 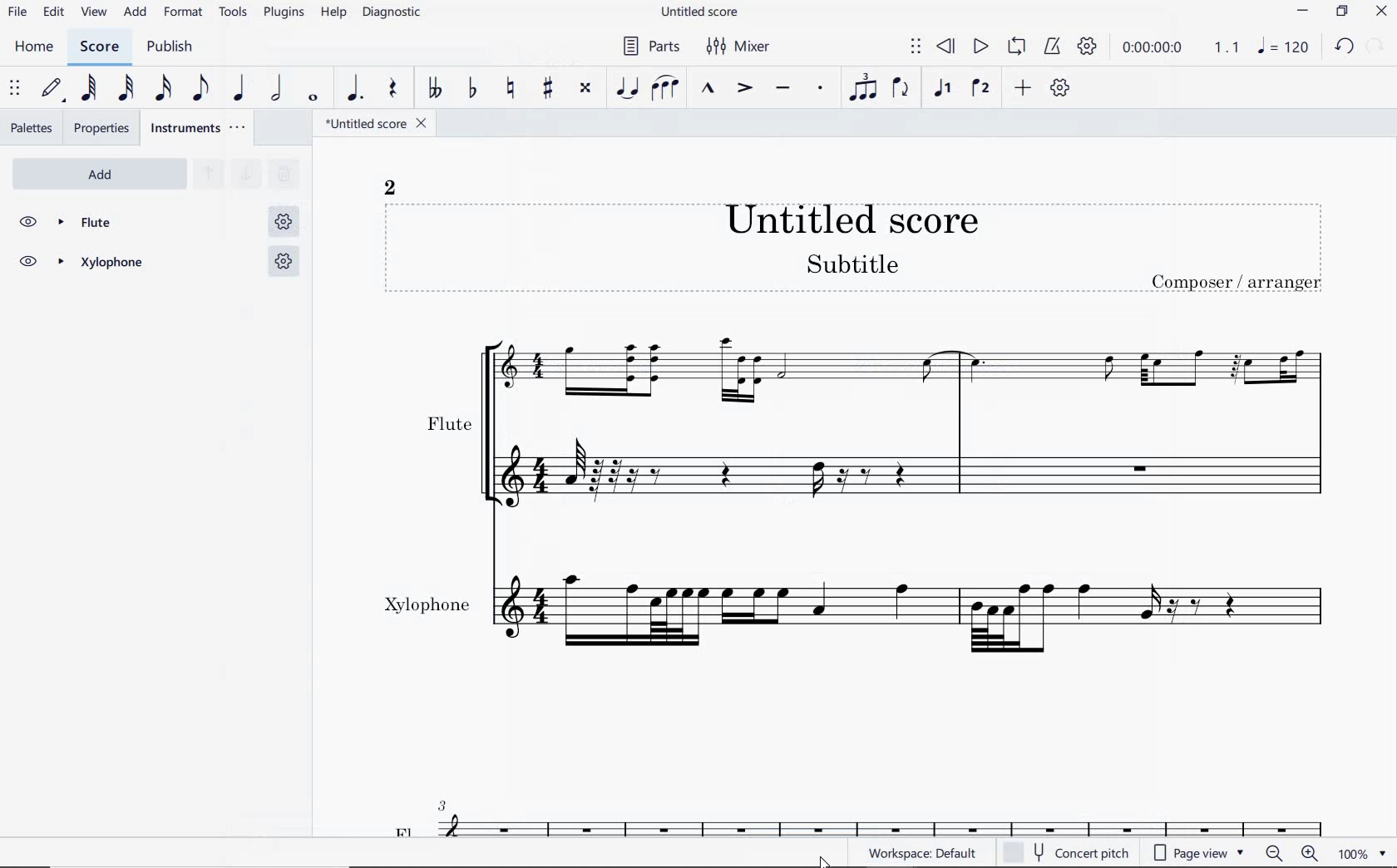 I want to click on TOGGLE SHARP, so click(x=548, y=90).